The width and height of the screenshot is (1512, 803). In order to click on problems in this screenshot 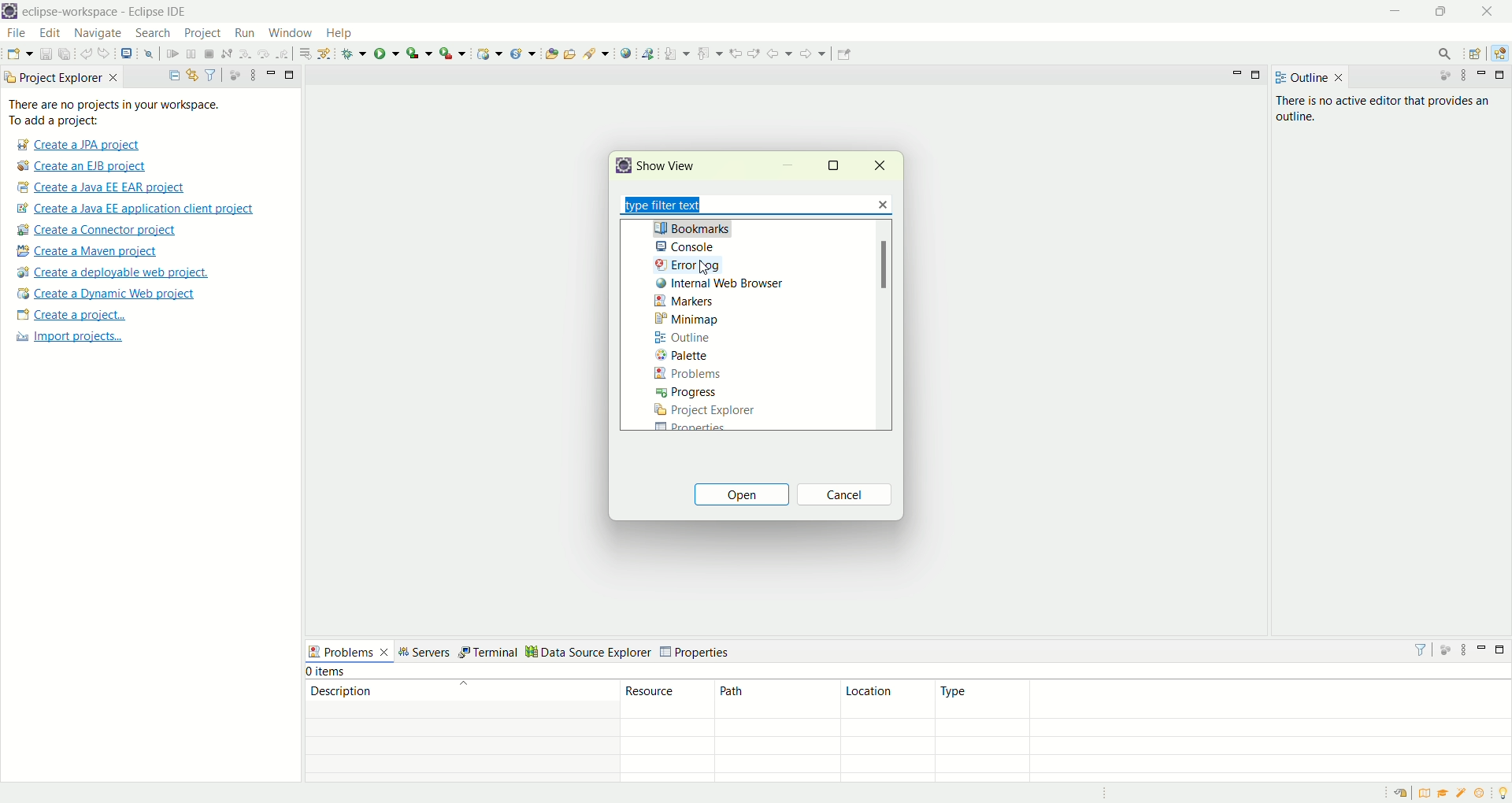, I will do `click(347, 650)`.